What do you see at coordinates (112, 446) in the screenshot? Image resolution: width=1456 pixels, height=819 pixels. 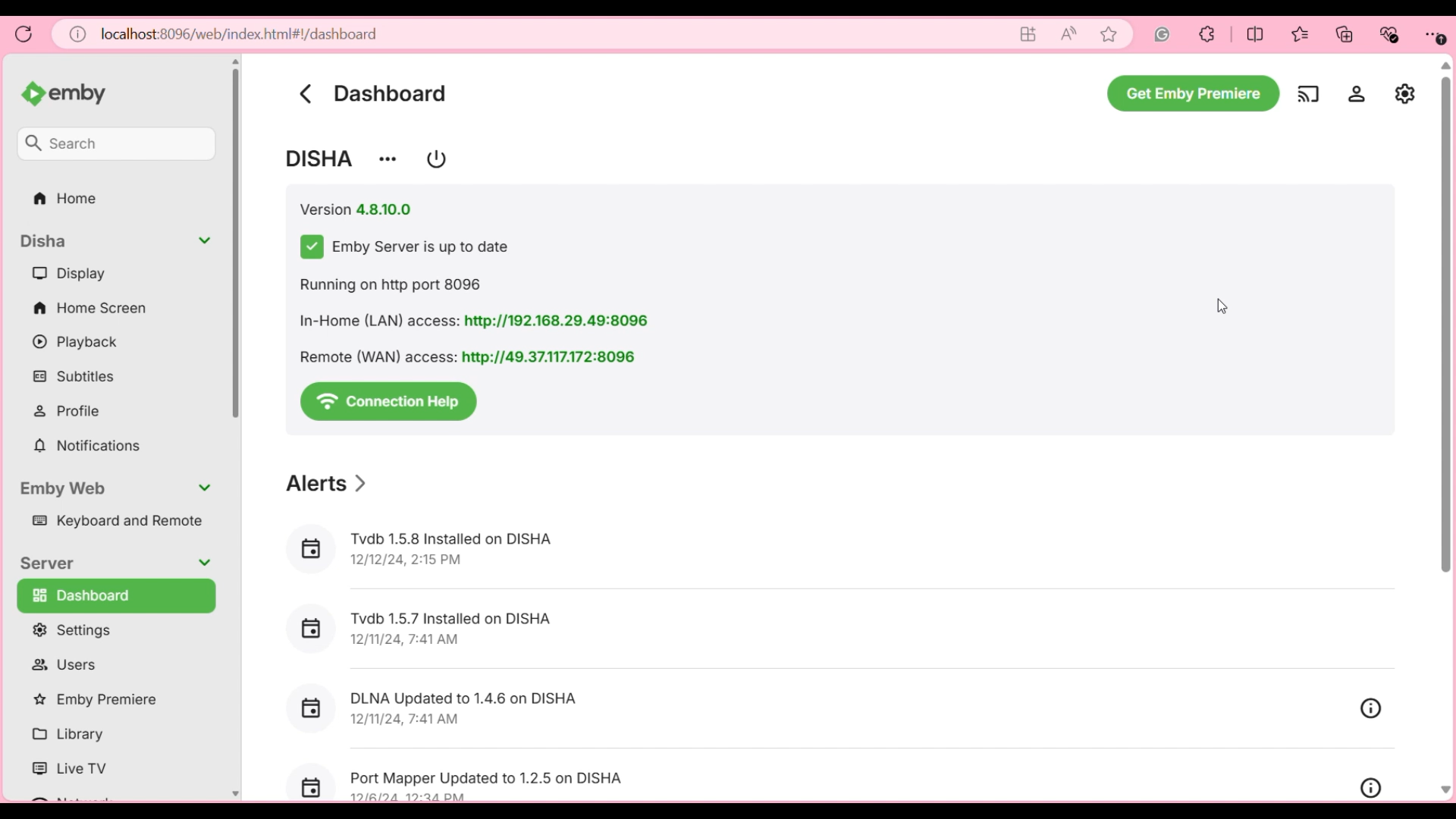 I see `Notifications` at bounding box center [112, 446].